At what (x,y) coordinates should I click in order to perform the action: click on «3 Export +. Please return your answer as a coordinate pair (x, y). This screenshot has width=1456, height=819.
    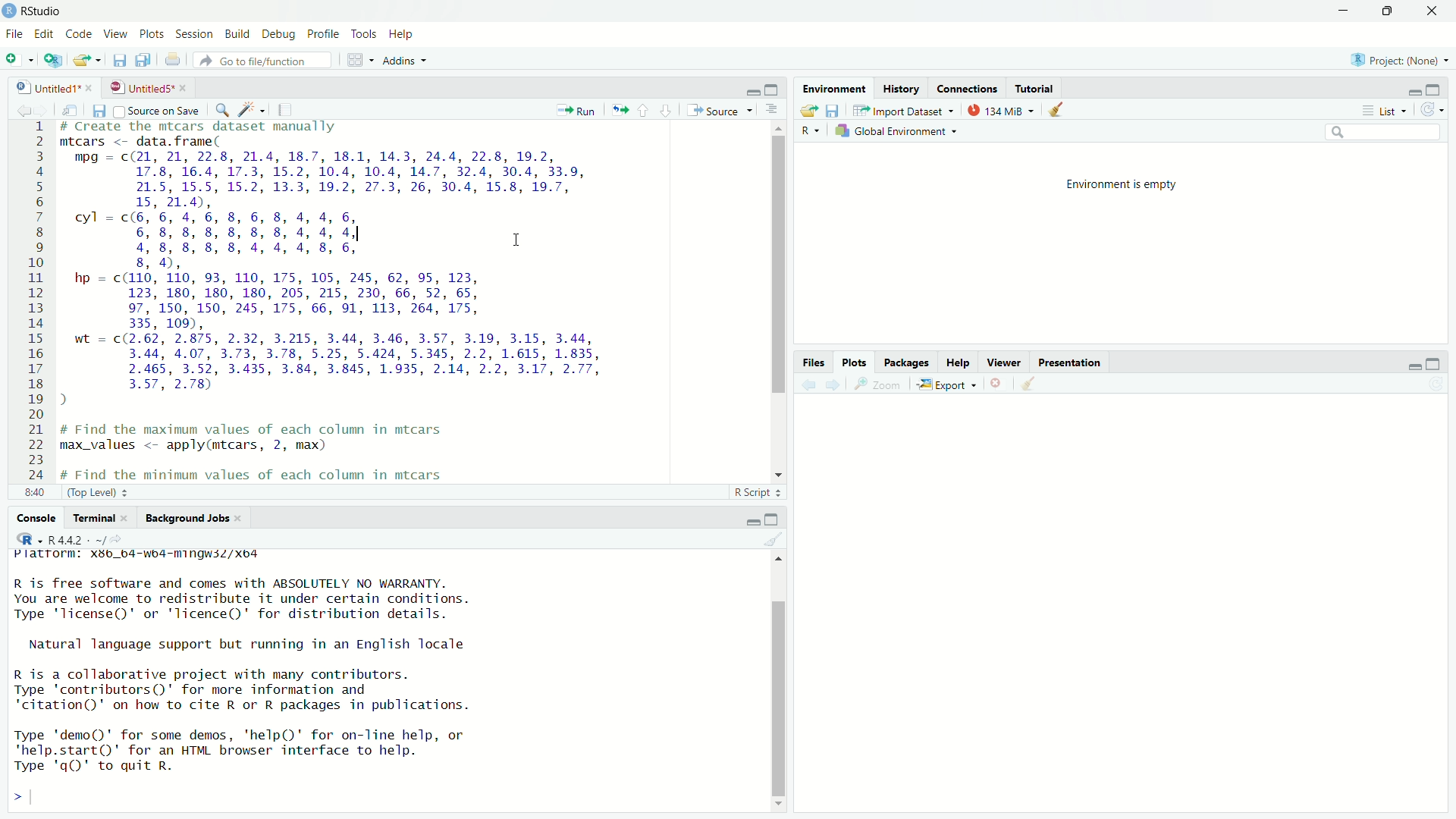
    Looking at the image, I should click on (949, 384).